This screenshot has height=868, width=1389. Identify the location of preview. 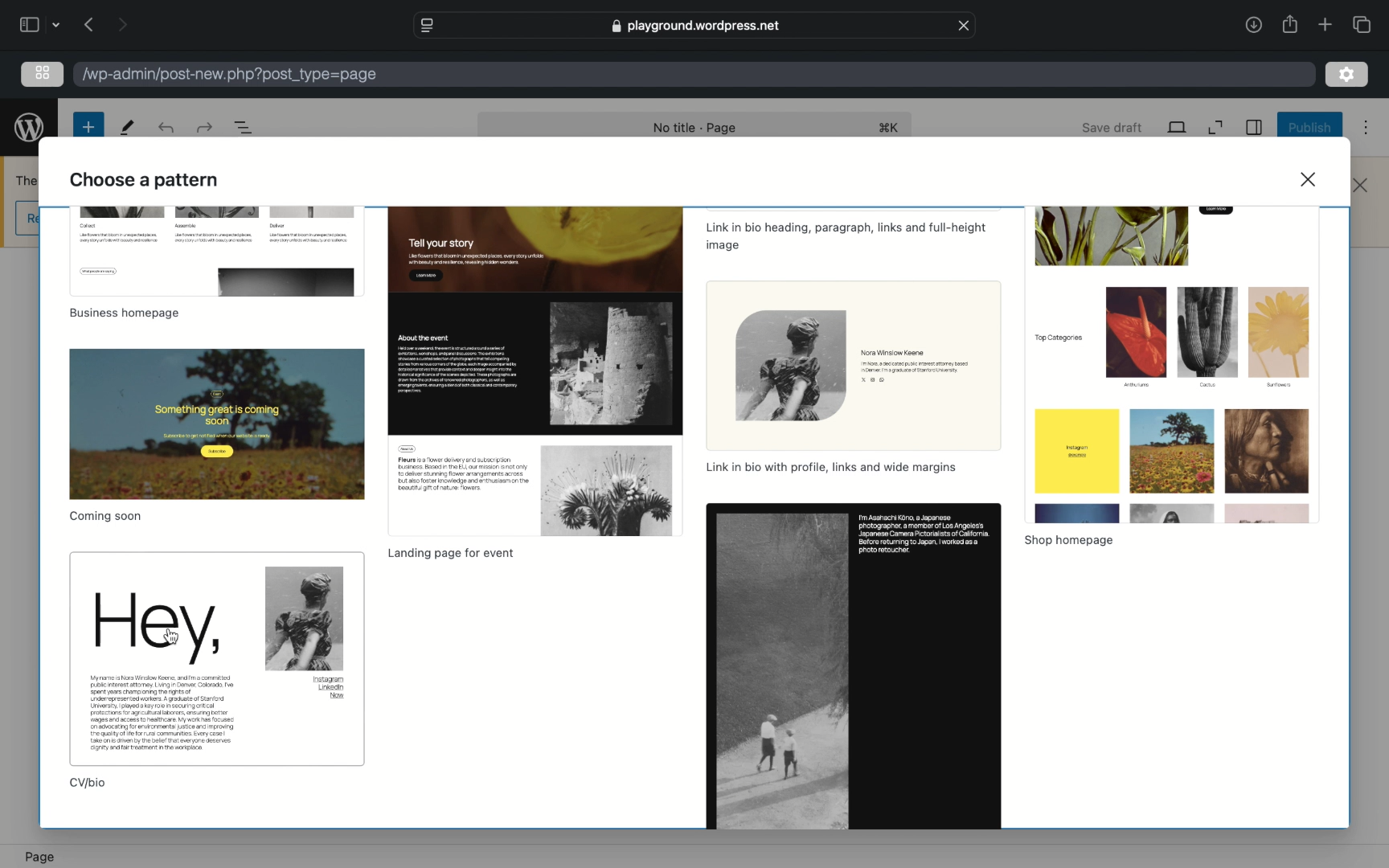
(1171, 363).